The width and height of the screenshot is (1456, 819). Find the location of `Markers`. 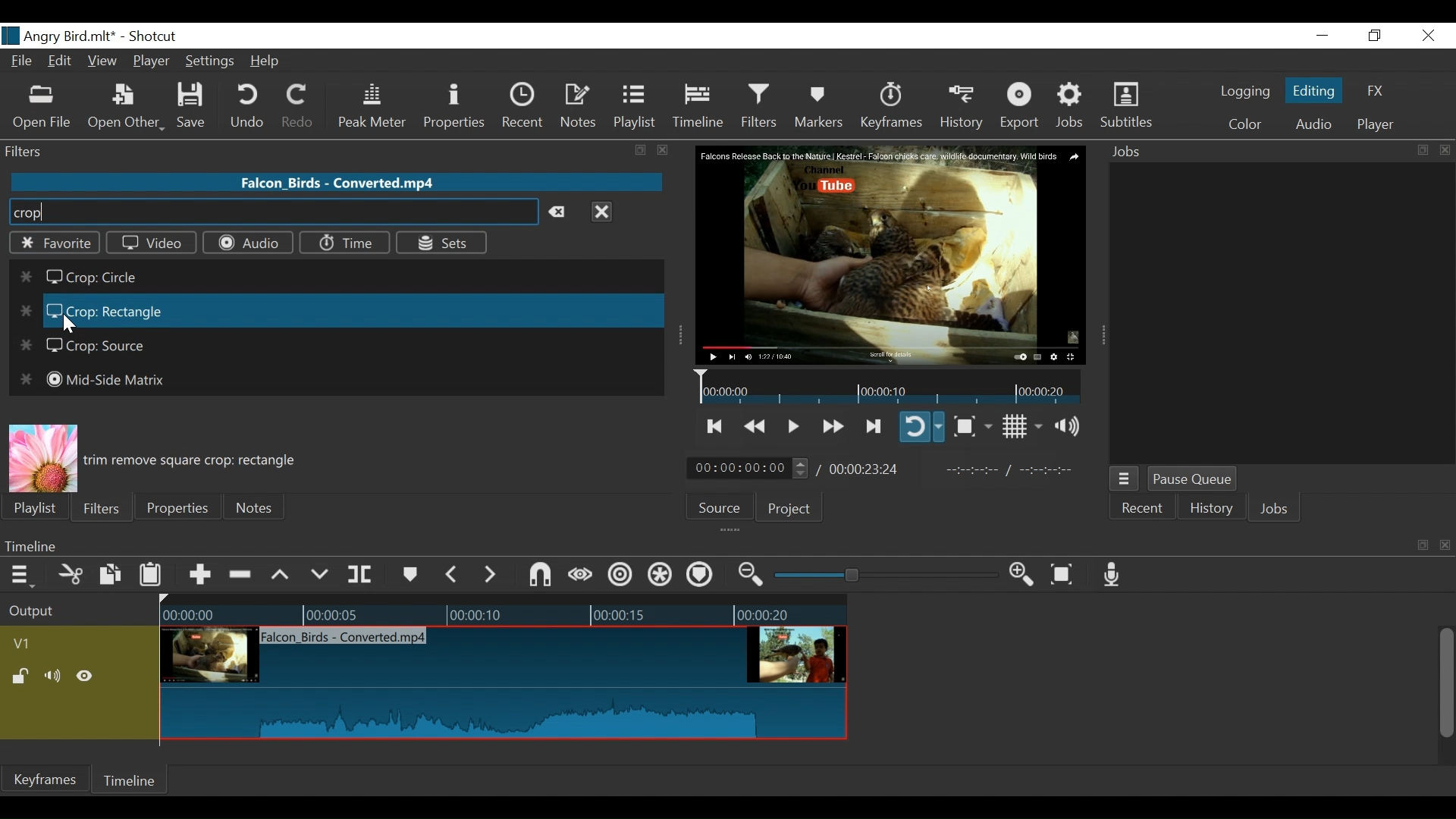

Markers is located at coordinates (409, 575).